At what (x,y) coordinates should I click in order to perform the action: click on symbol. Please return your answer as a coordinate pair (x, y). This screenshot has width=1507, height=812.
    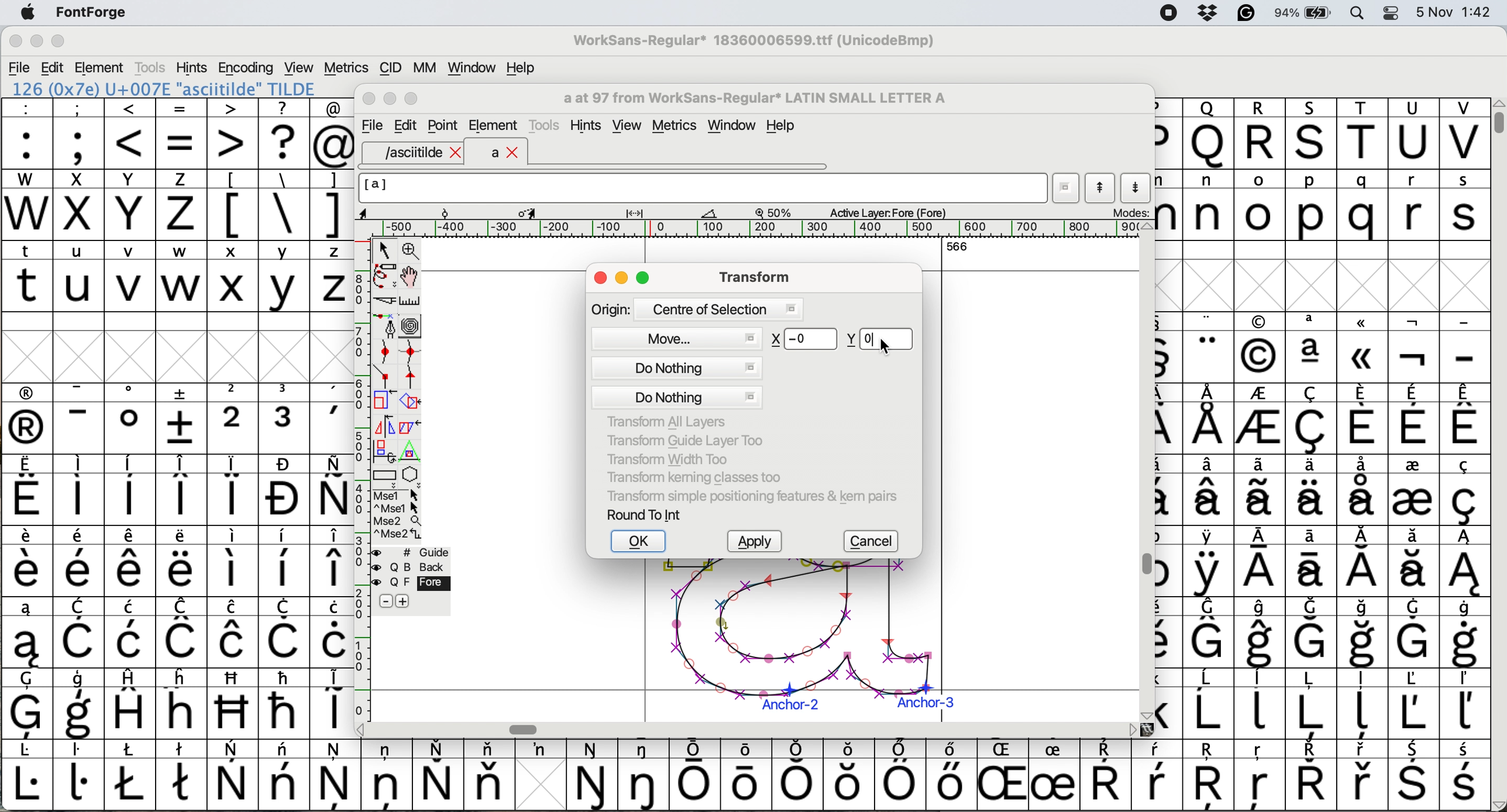
    Looking at the image, I should click on (593, 776).